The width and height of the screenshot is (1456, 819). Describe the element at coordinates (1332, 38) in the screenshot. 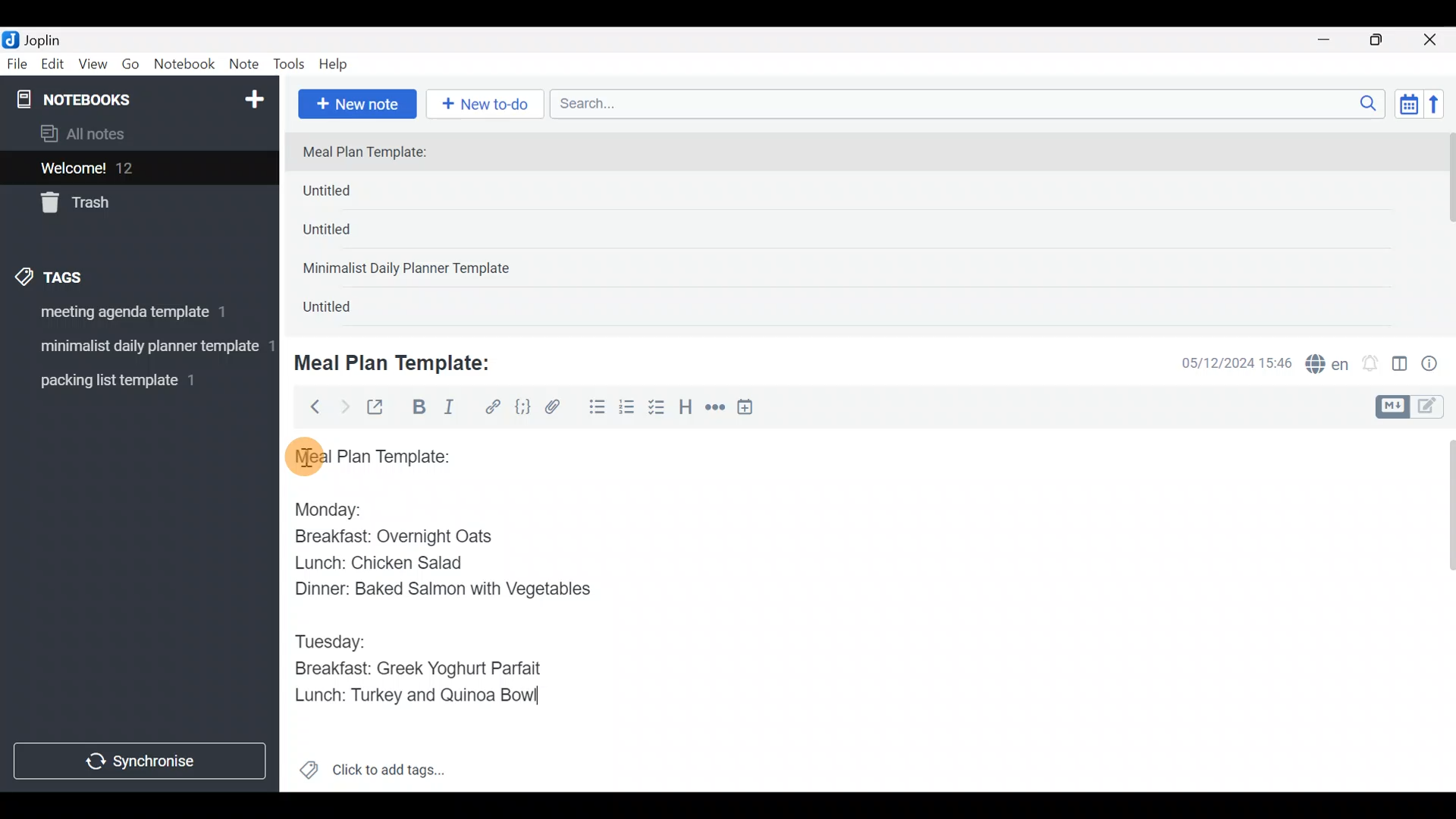

I see `Minimize` at that location.